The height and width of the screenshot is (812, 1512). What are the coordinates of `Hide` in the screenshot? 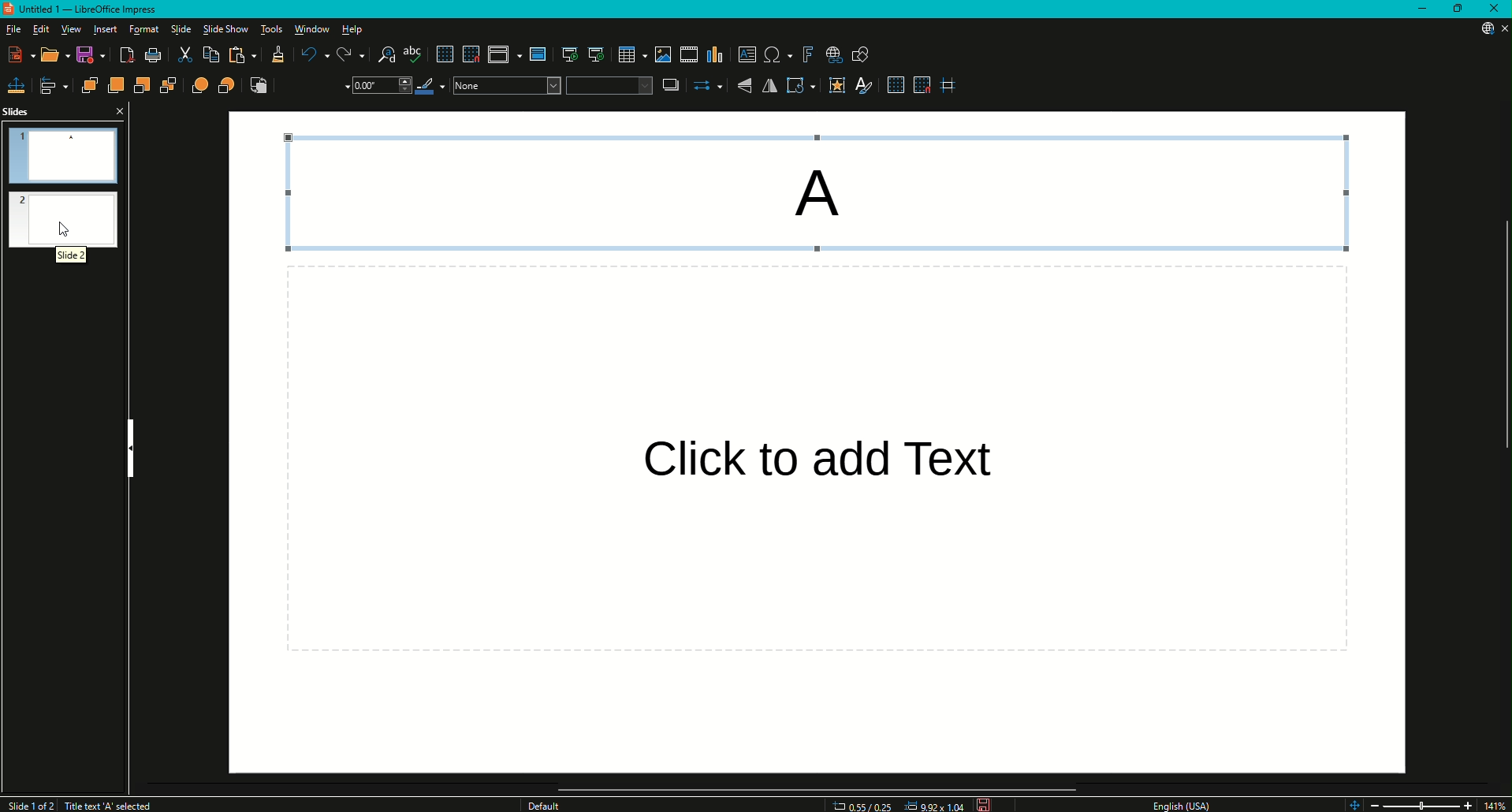 It's located at (132, 442).